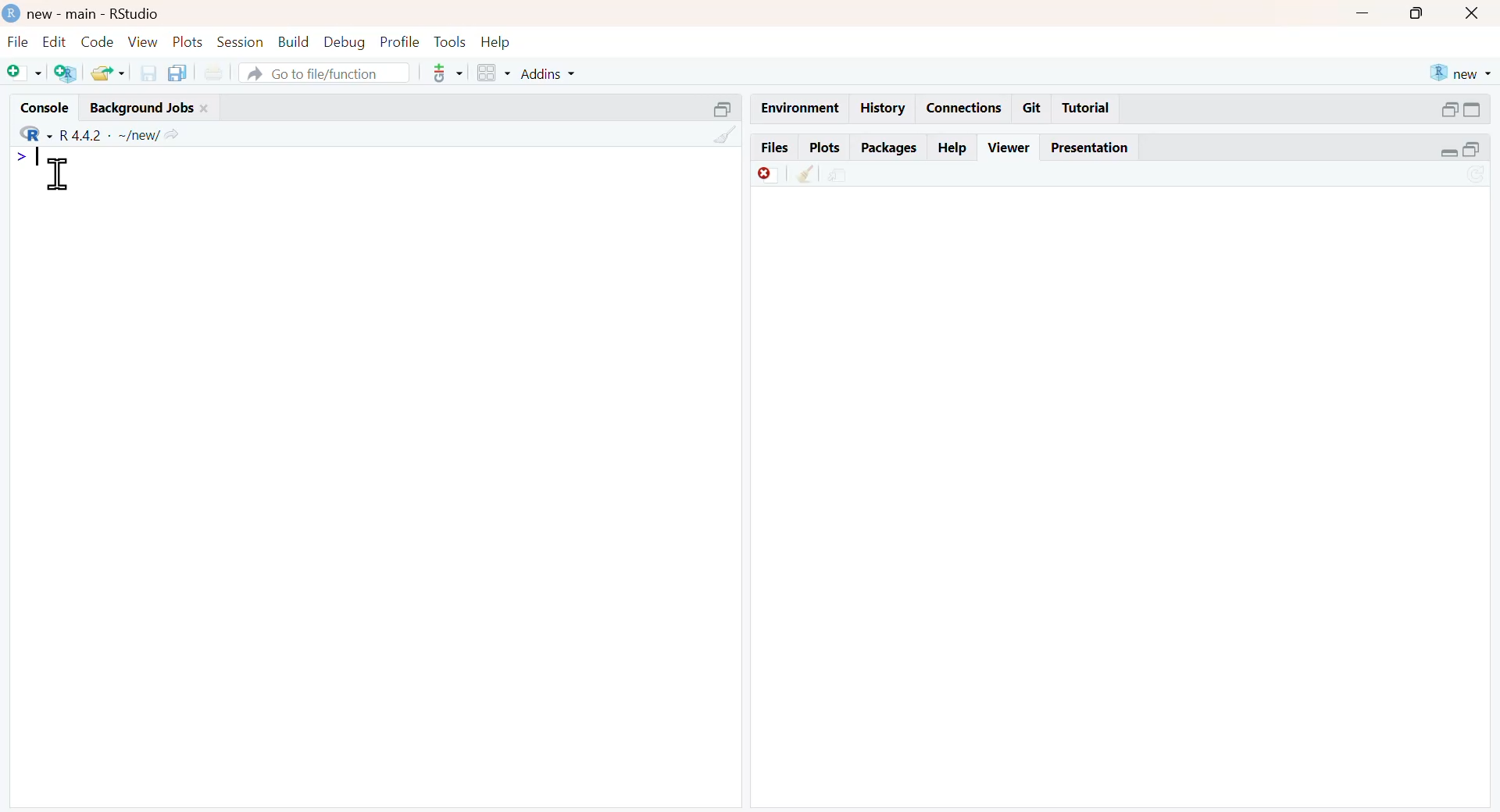 The image size is (1500, 812). What do you see at coordinates (143, 109) in the screenshot?
I see `Background jobs` at bounding box center [143, 109].